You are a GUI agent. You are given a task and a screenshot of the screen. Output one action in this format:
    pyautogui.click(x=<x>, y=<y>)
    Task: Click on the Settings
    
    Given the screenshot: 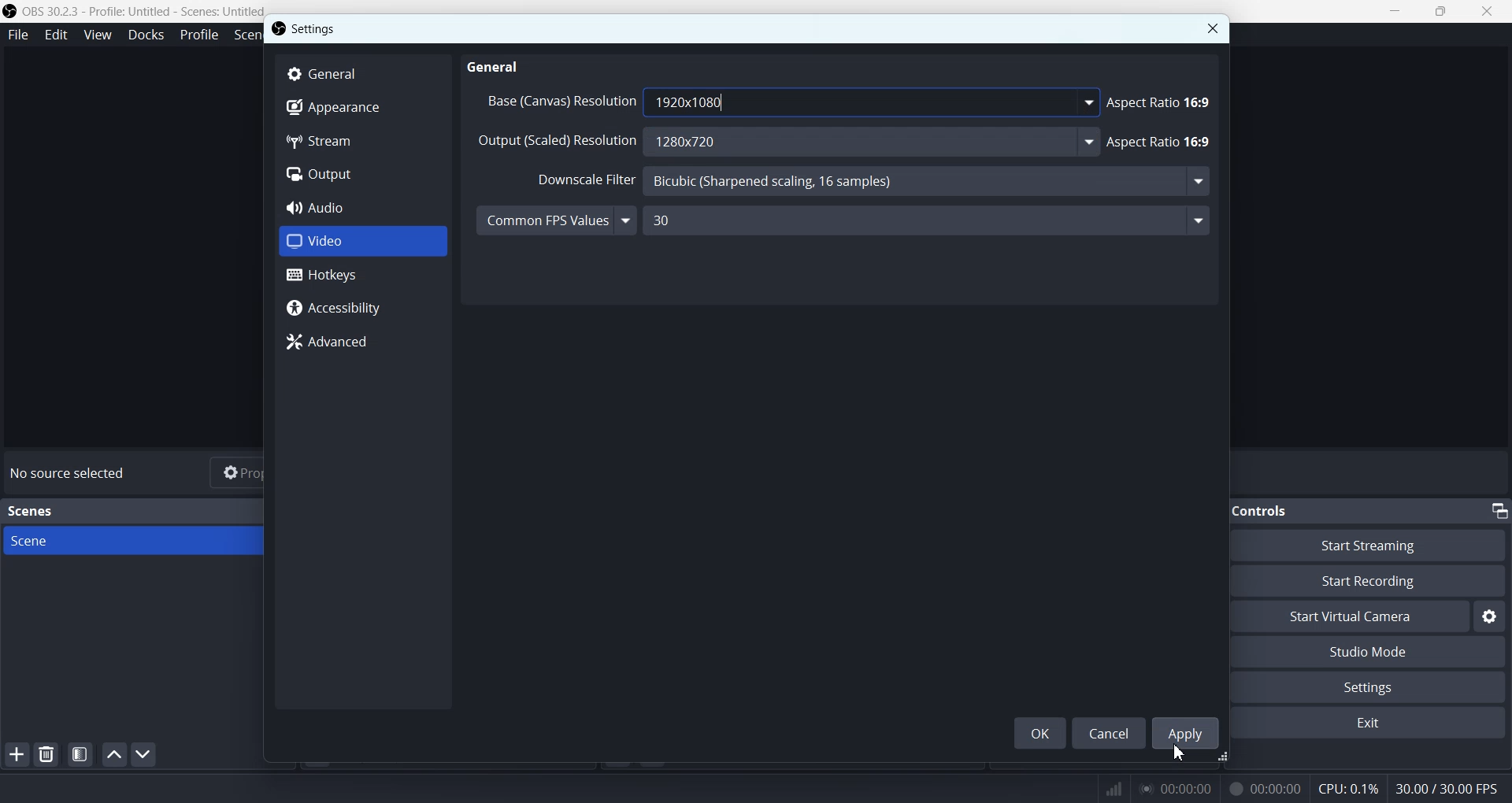 What is the action you would take?
    pyautogui.click(x=1490, y=616)
    